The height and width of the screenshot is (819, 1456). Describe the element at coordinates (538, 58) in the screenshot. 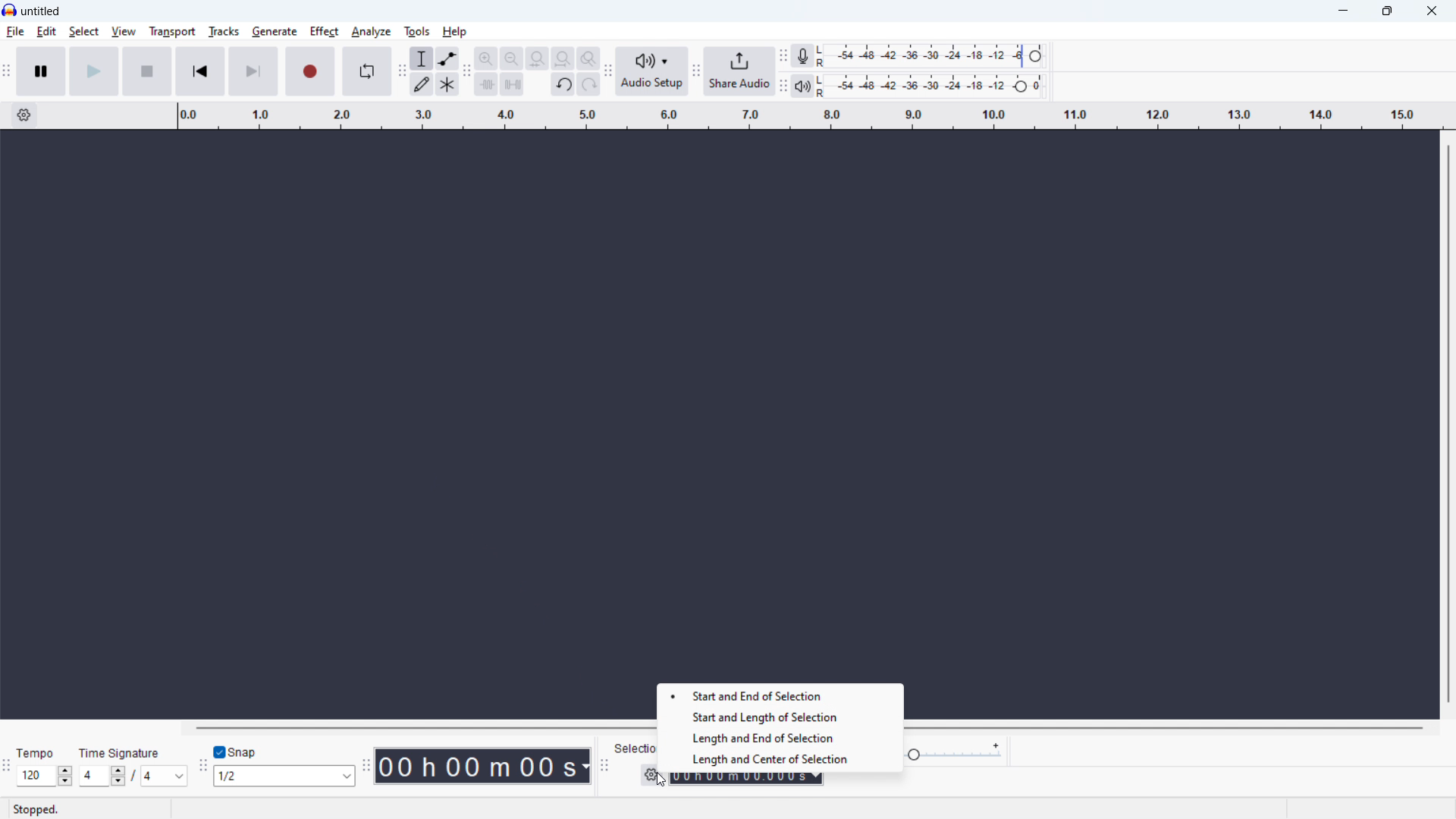

I see `fit selection to width` at that location.